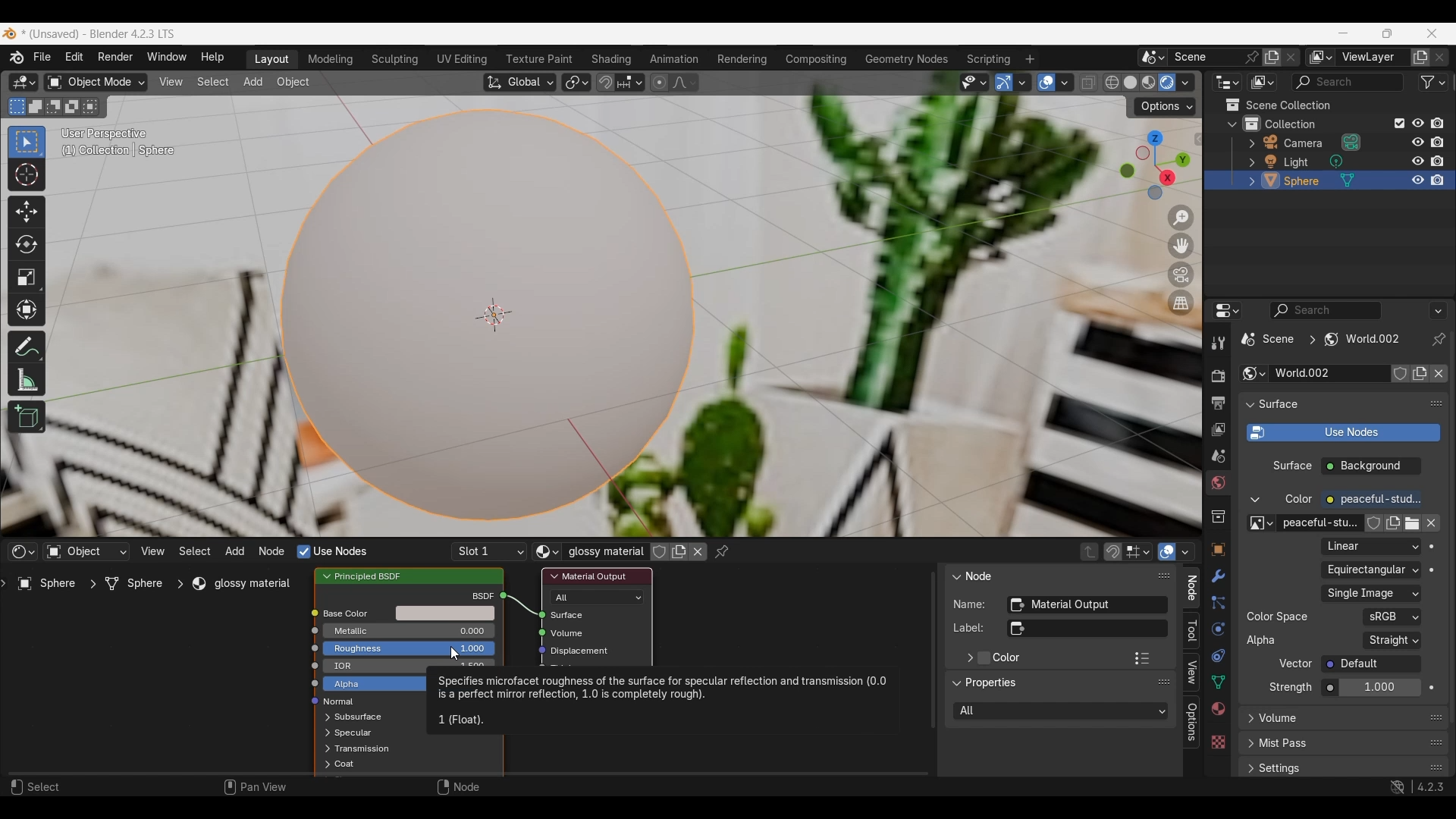  Describe the element at coordinates (1164, 576) in the screenshot. I see `Float panel` at that location.